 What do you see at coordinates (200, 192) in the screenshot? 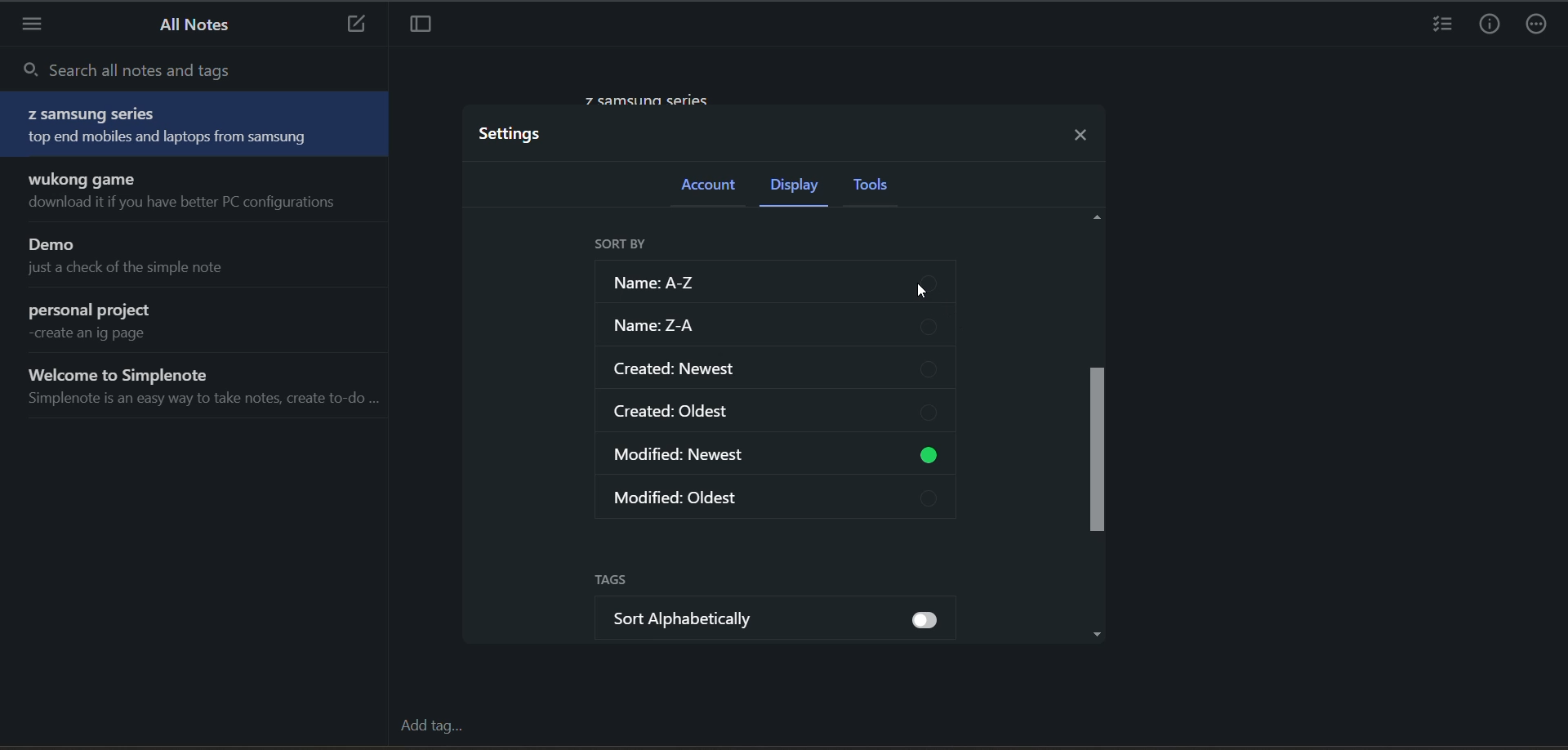
I see `wukong game
download it if you have better PC configurations` at bounding box center [200, 192].